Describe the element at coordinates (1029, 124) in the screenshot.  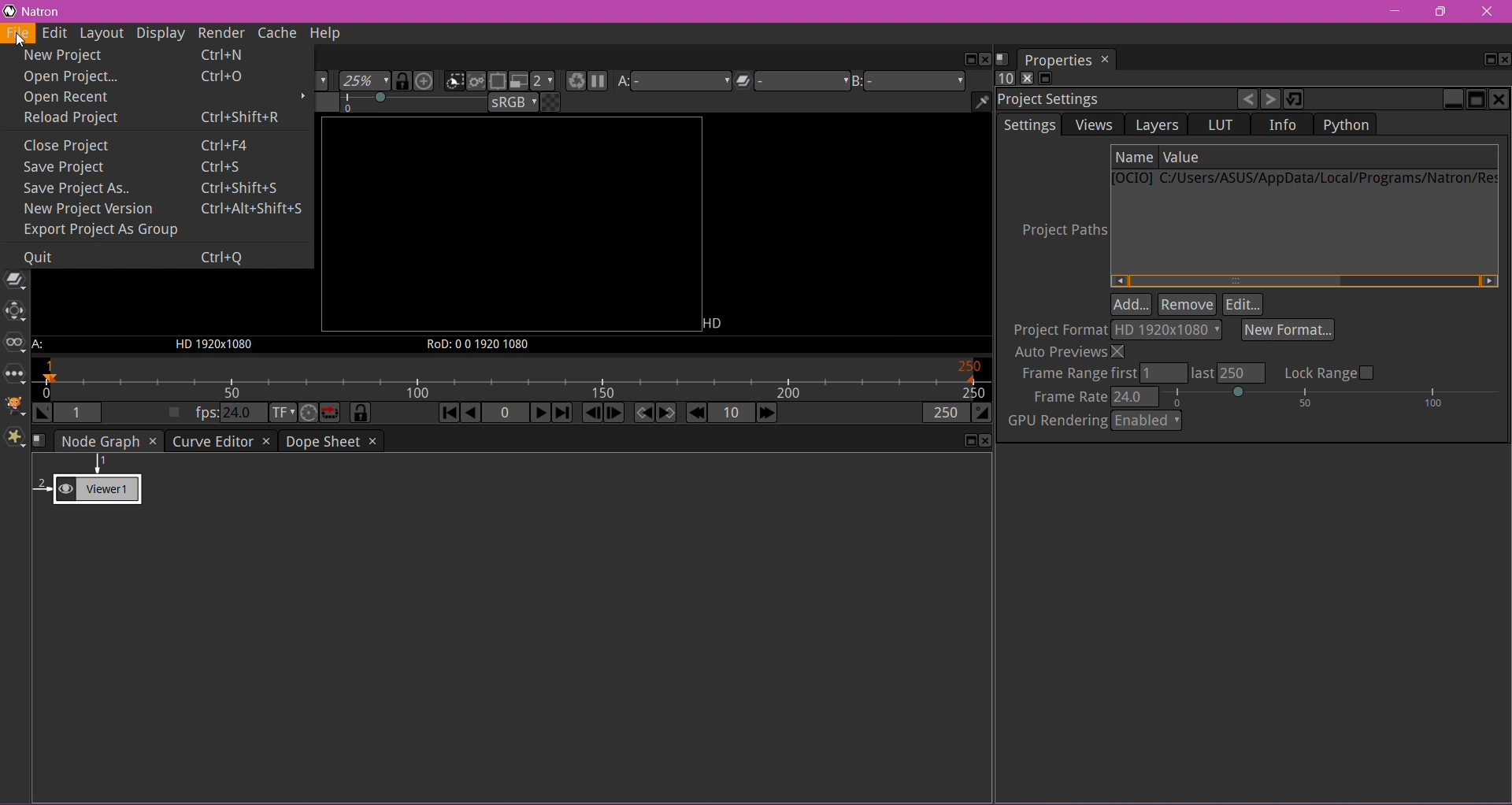
I see `Settings` at that location.